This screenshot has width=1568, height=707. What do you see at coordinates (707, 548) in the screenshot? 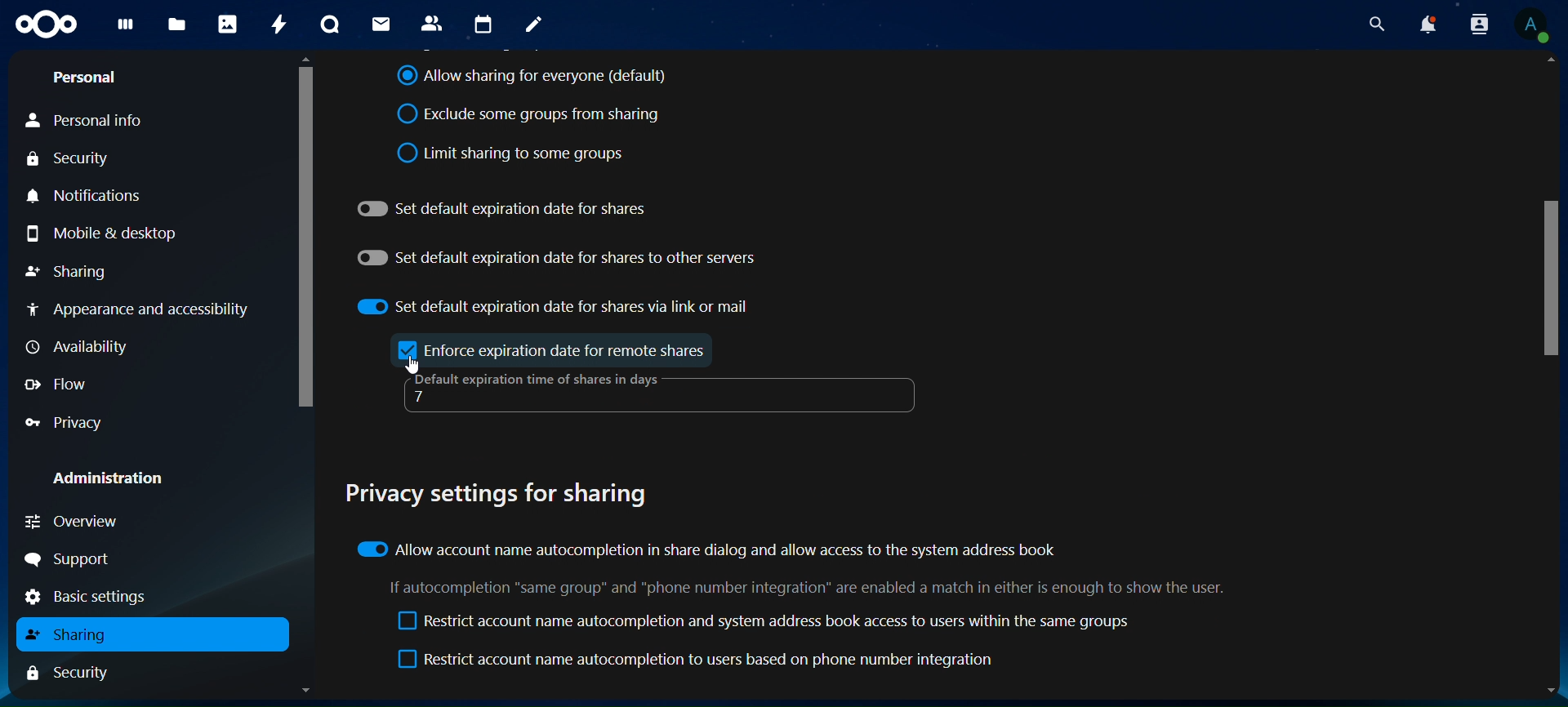
I see `allow account name autocompletion in share dialog and allow acess to the system address book` at bounding box center [707, 548].